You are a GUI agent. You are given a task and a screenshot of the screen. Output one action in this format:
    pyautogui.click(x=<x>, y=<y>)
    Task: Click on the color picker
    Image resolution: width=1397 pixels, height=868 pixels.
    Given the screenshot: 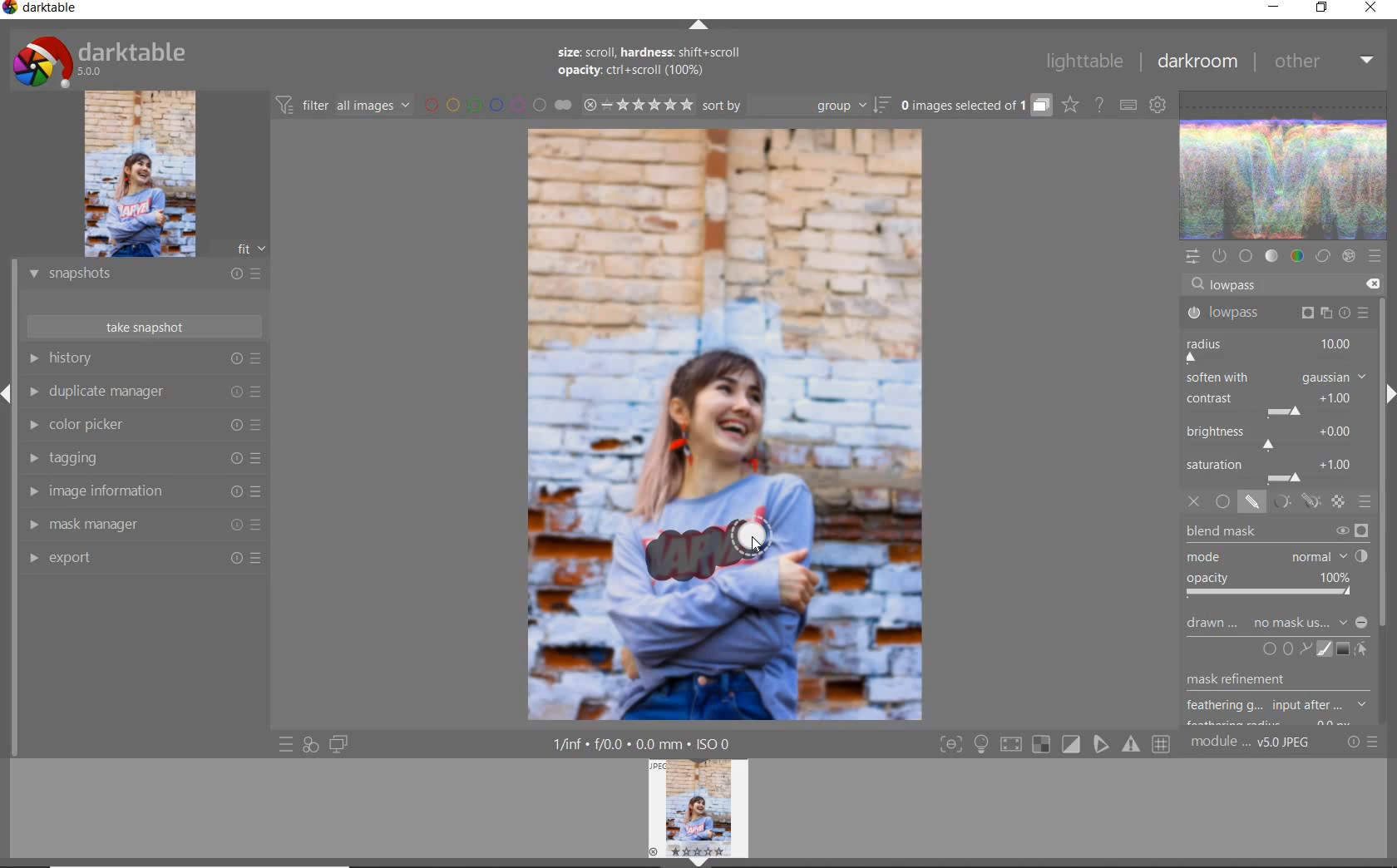 What is the action you would take?
    pyautogui.click(x=141, y=427)
    